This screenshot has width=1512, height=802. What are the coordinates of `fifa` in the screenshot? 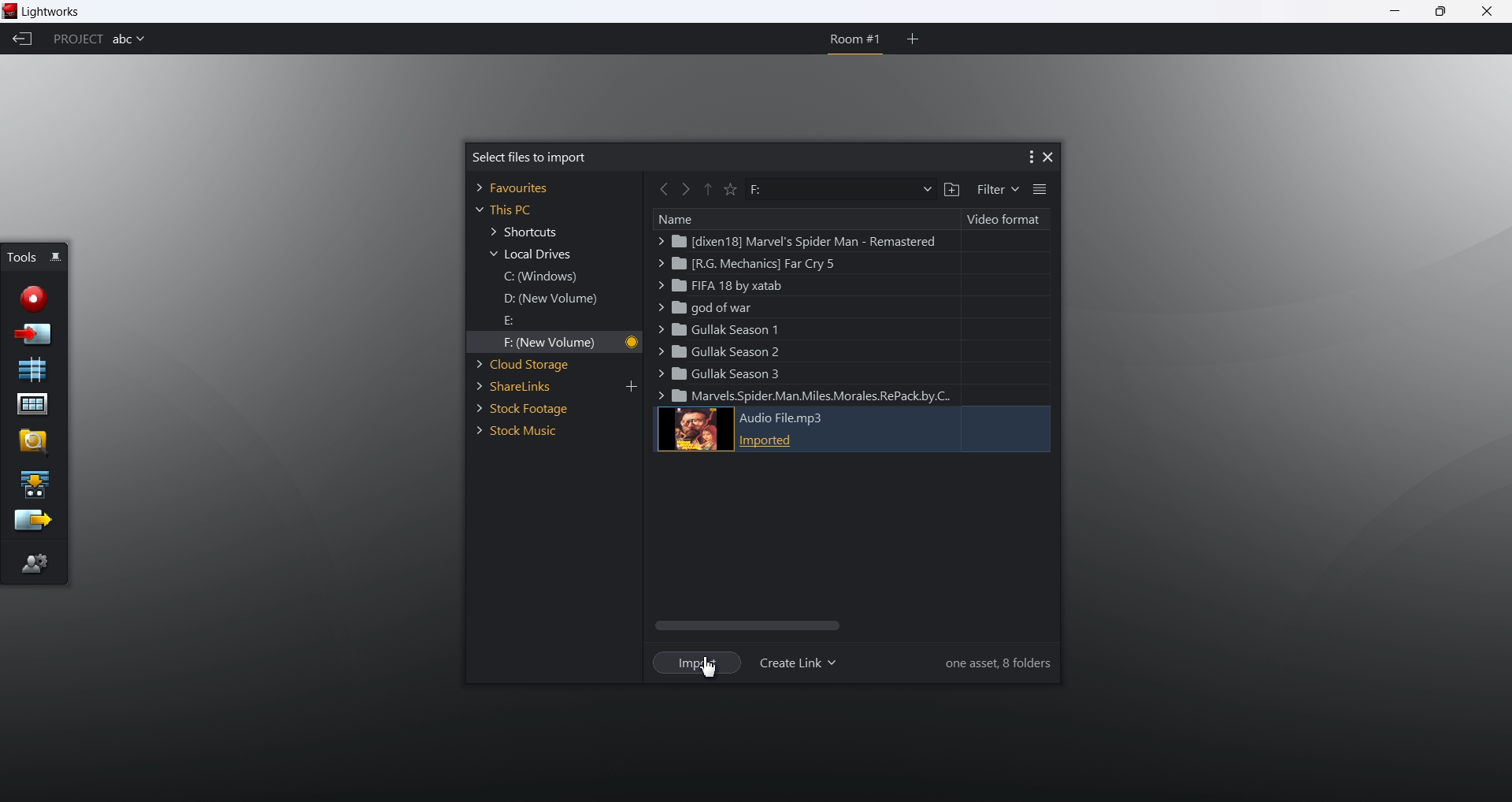 It's located at (721, 285).